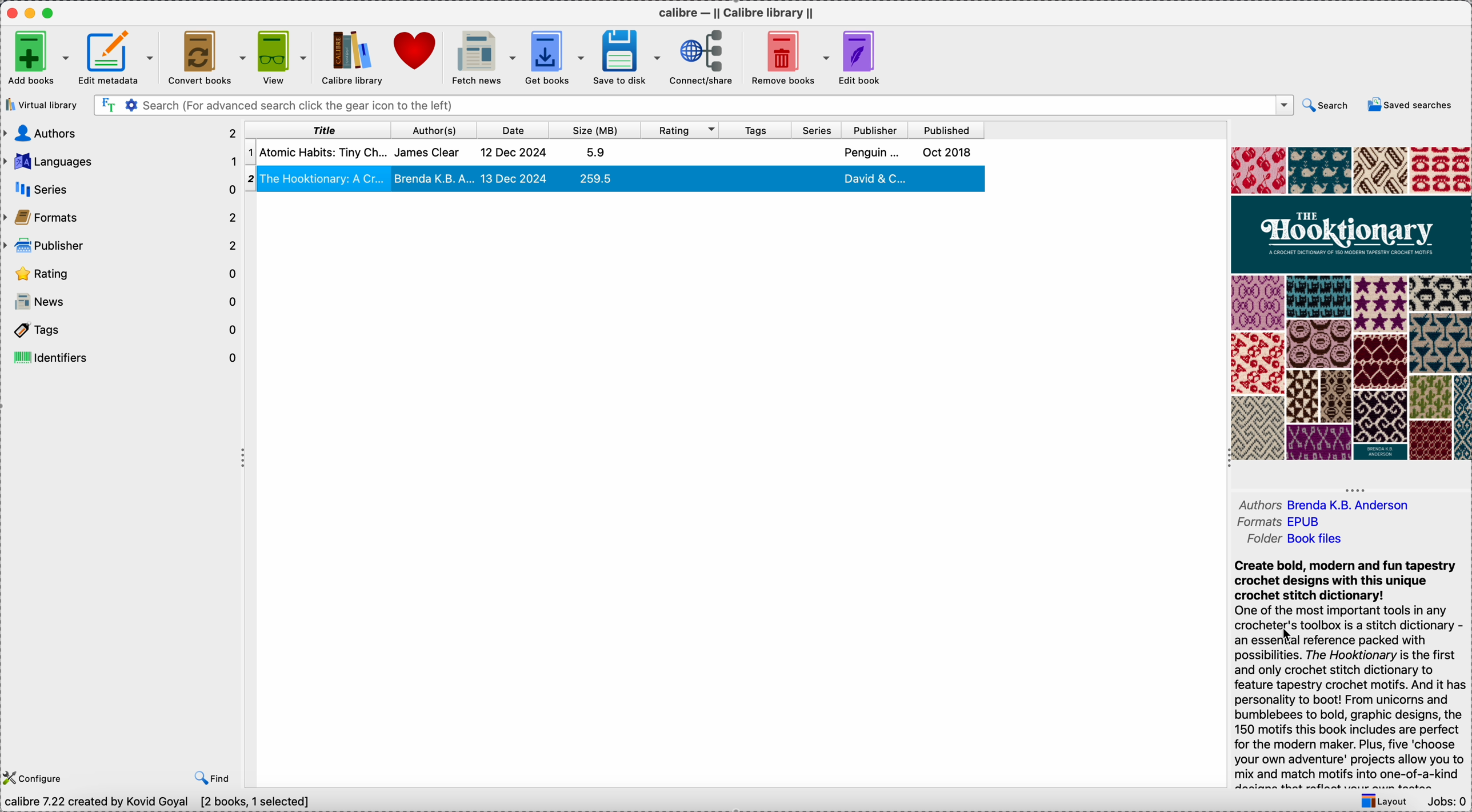  I want to click on rating, so click(123, 272).